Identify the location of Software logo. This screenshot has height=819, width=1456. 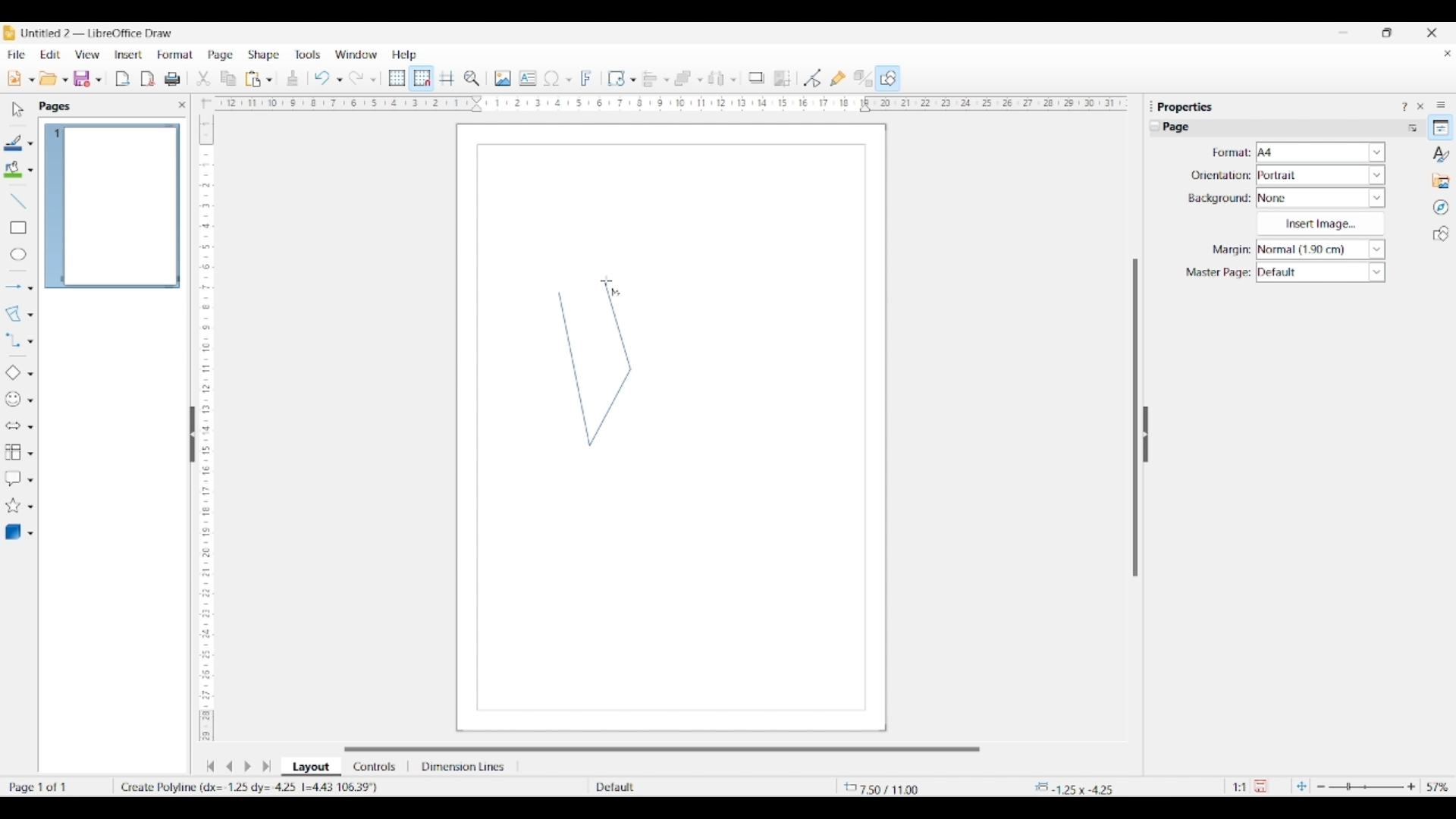
(9, 33).